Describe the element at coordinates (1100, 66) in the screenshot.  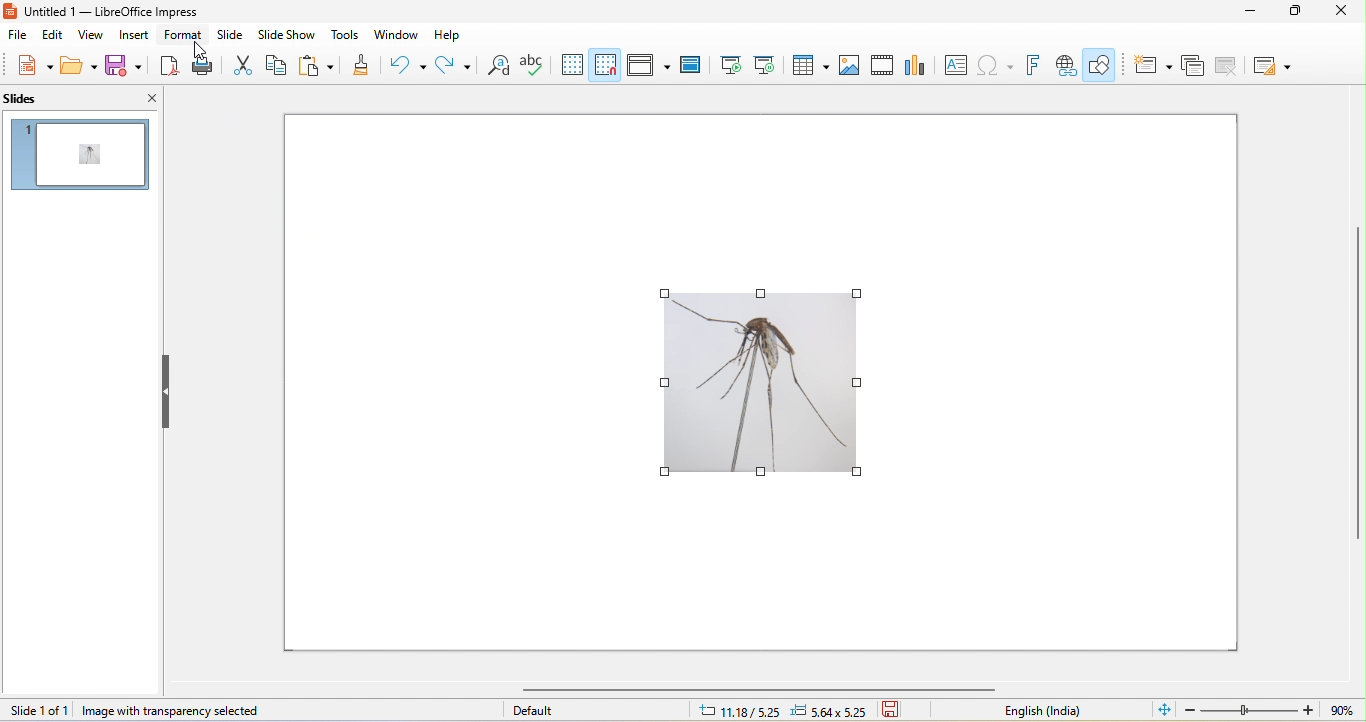
I see `show draw functions` at that location.